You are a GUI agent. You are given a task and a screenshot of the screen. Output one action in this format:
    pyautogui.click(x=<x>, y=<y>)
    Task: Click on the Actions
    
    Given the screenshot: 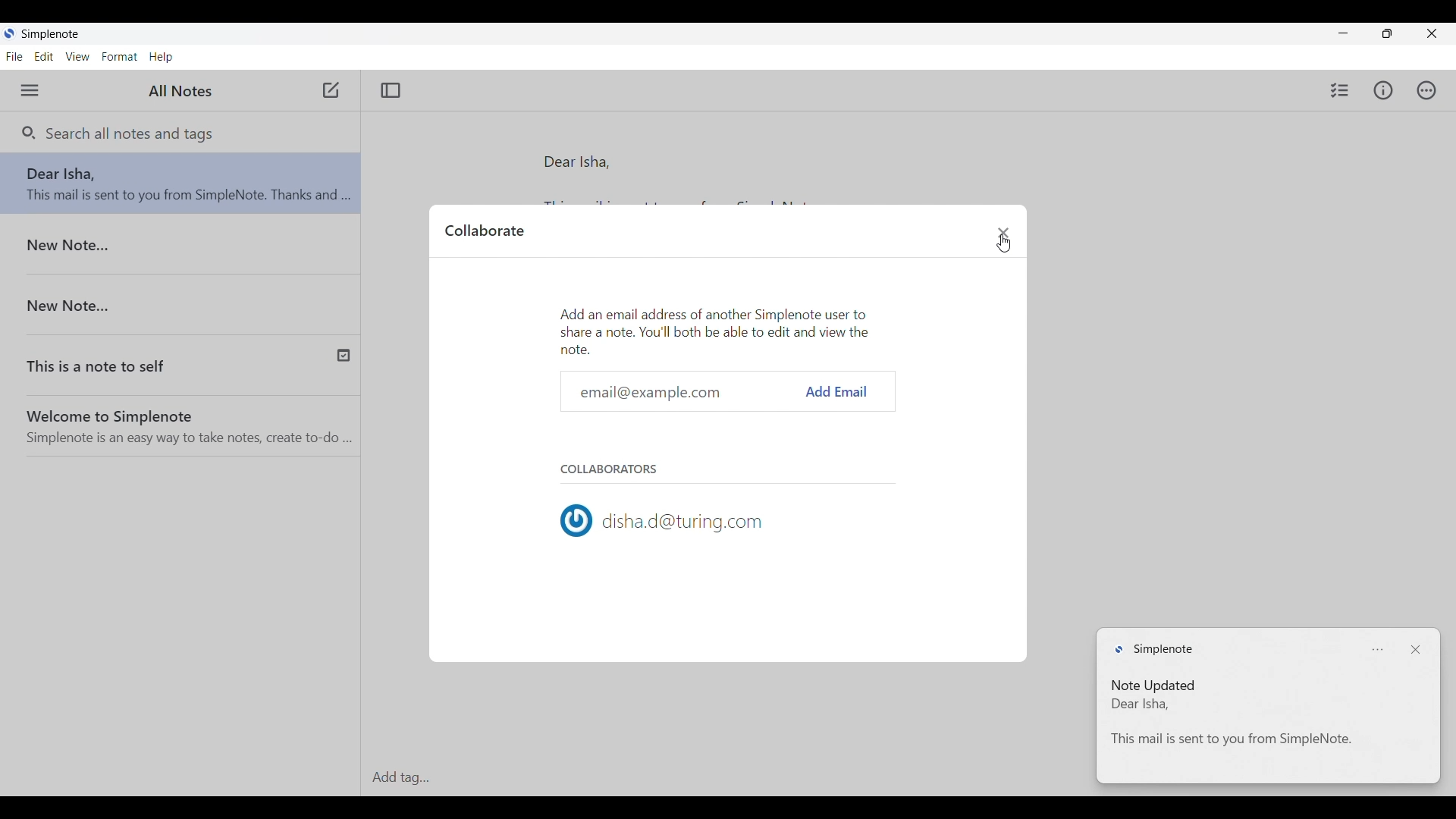 What is the action you would take?
    pyautogui.click(x=1426, y=90)
    